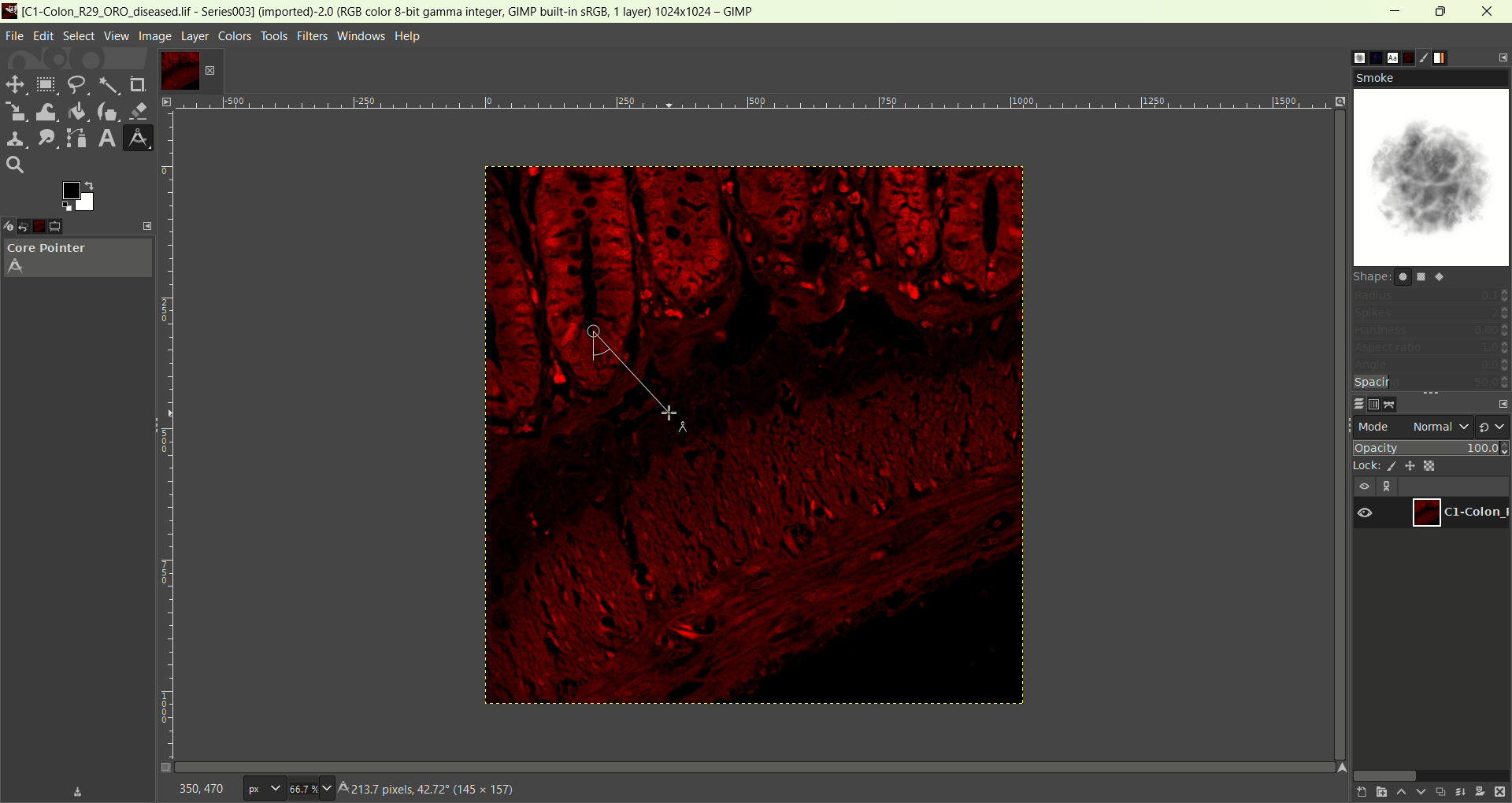 This screenshot has height=803, width=1512. What do you see at coordinates (1385, 57) in the screenshot?
I see `font` at bounding box center [1385, 57].